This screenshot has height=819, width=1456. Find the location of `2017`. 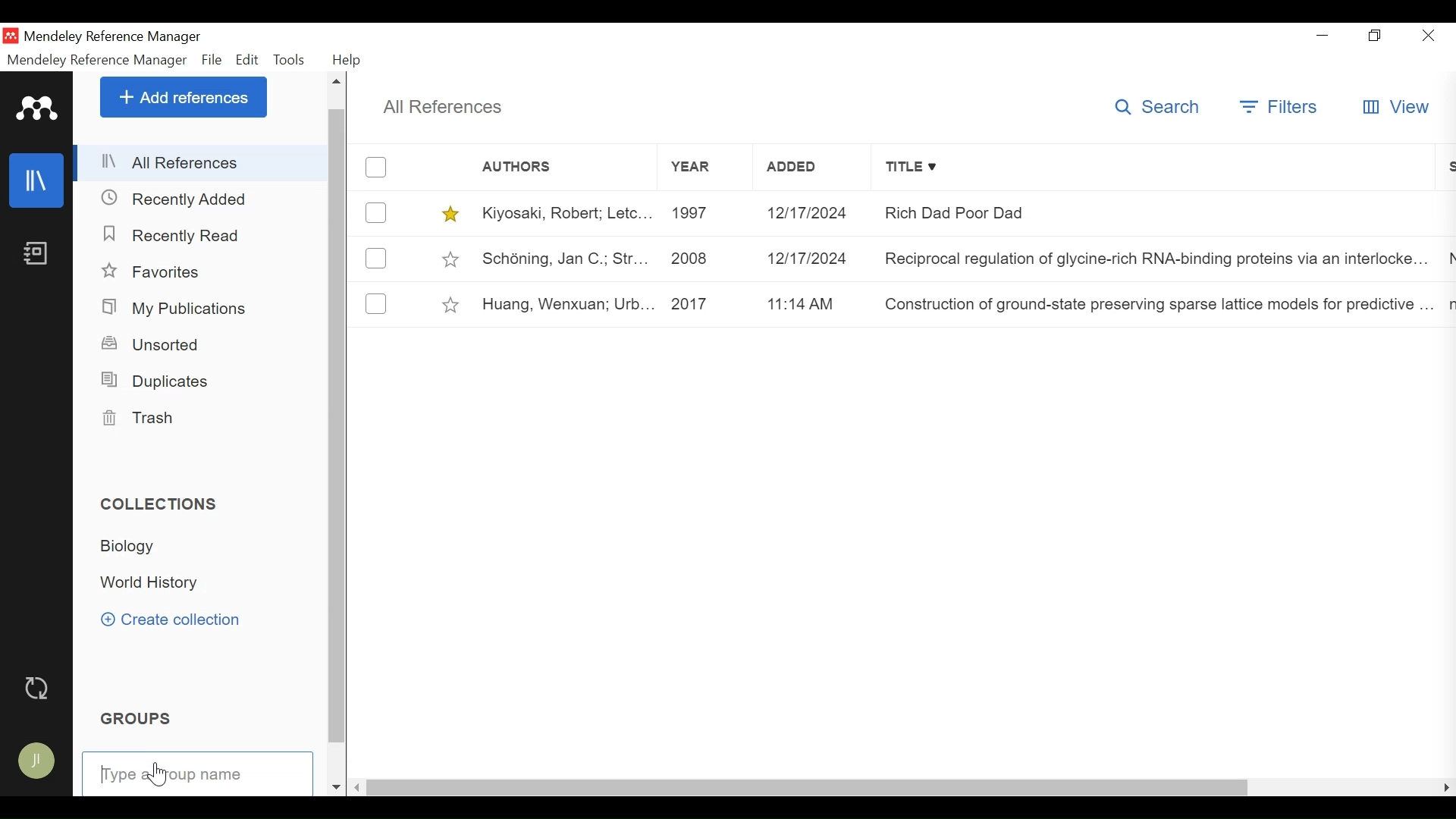

2017 is located at coordinates (706, 304).